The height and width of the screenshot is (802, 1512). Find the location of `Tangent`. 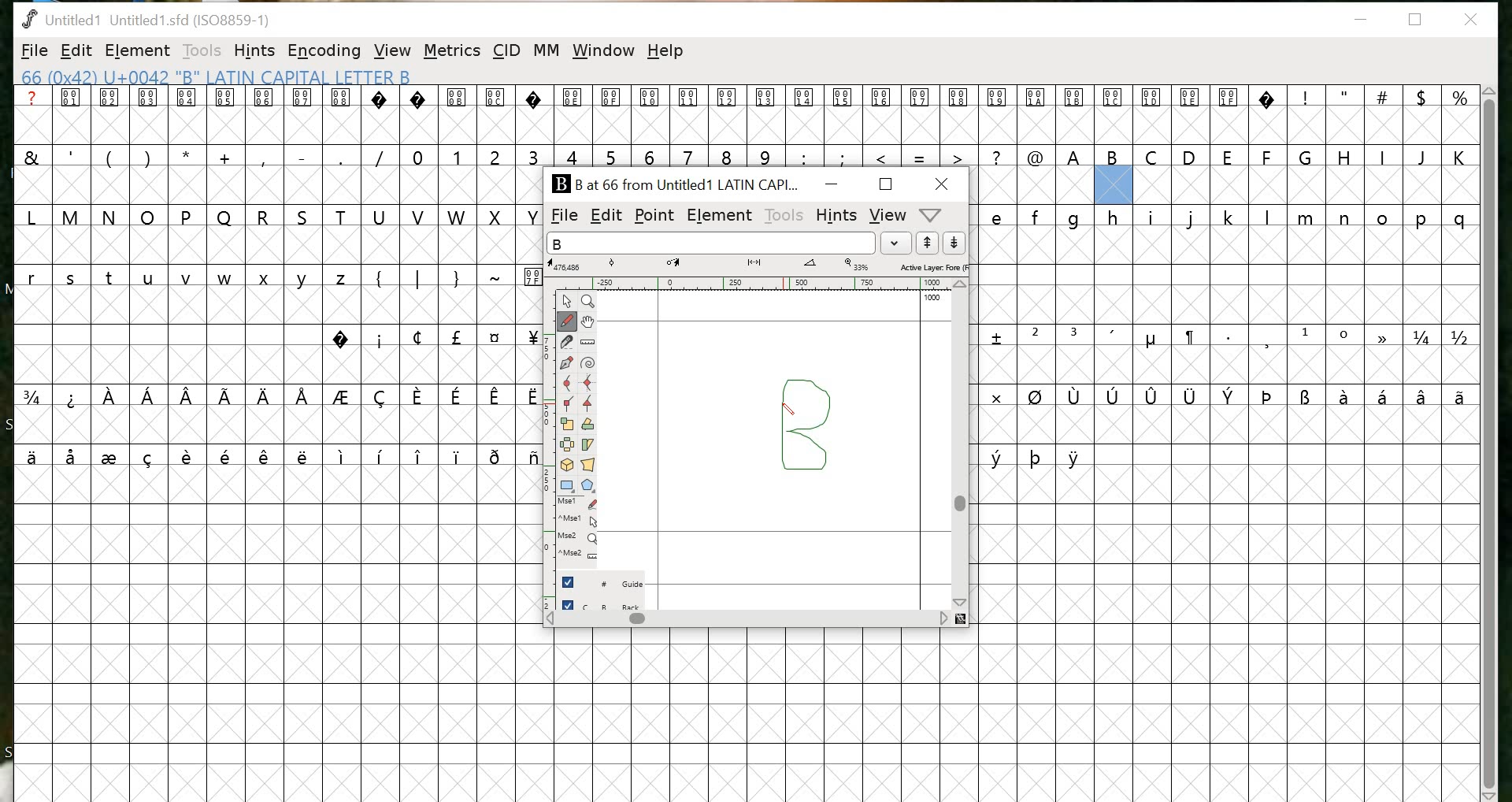

Tangent is located at coordinates (591, 405).